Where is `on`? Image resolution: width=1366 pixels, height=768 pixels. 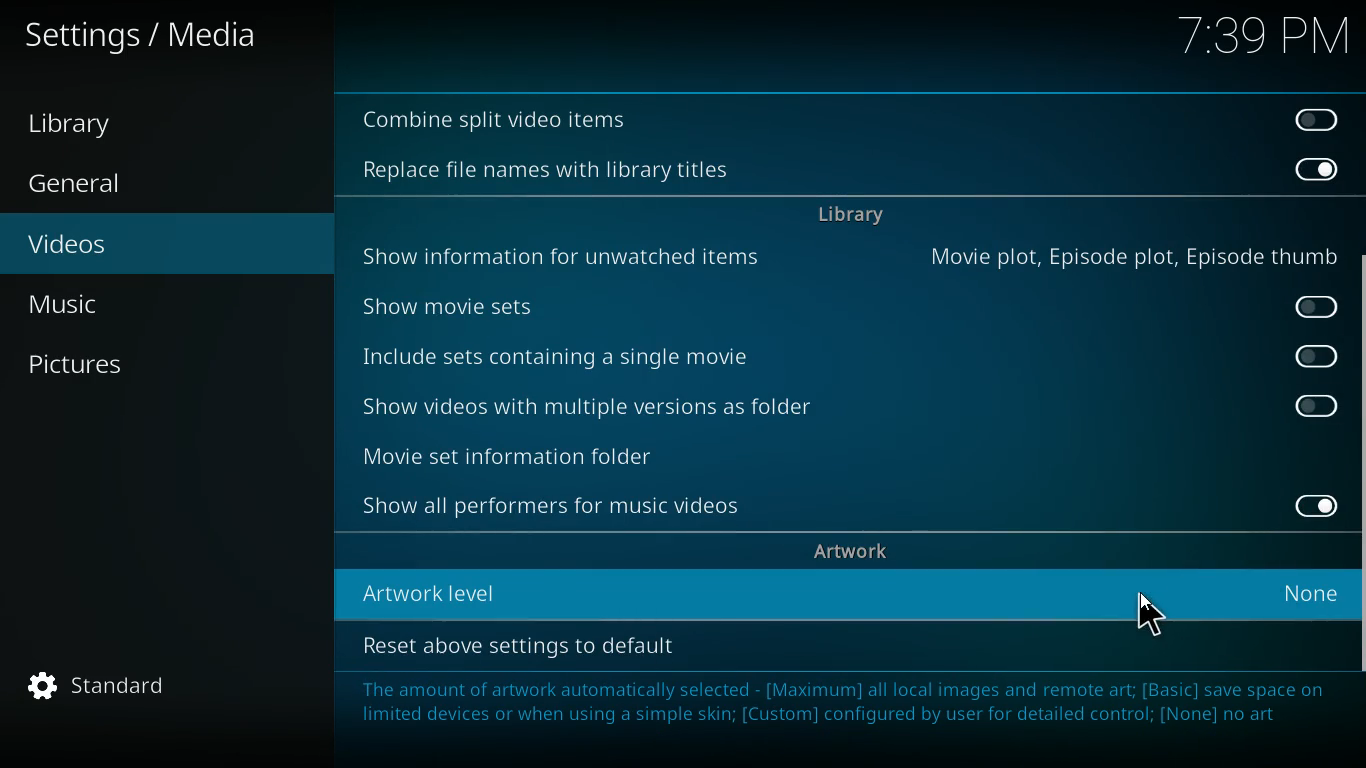
on is located at coordinates (1308, 505).